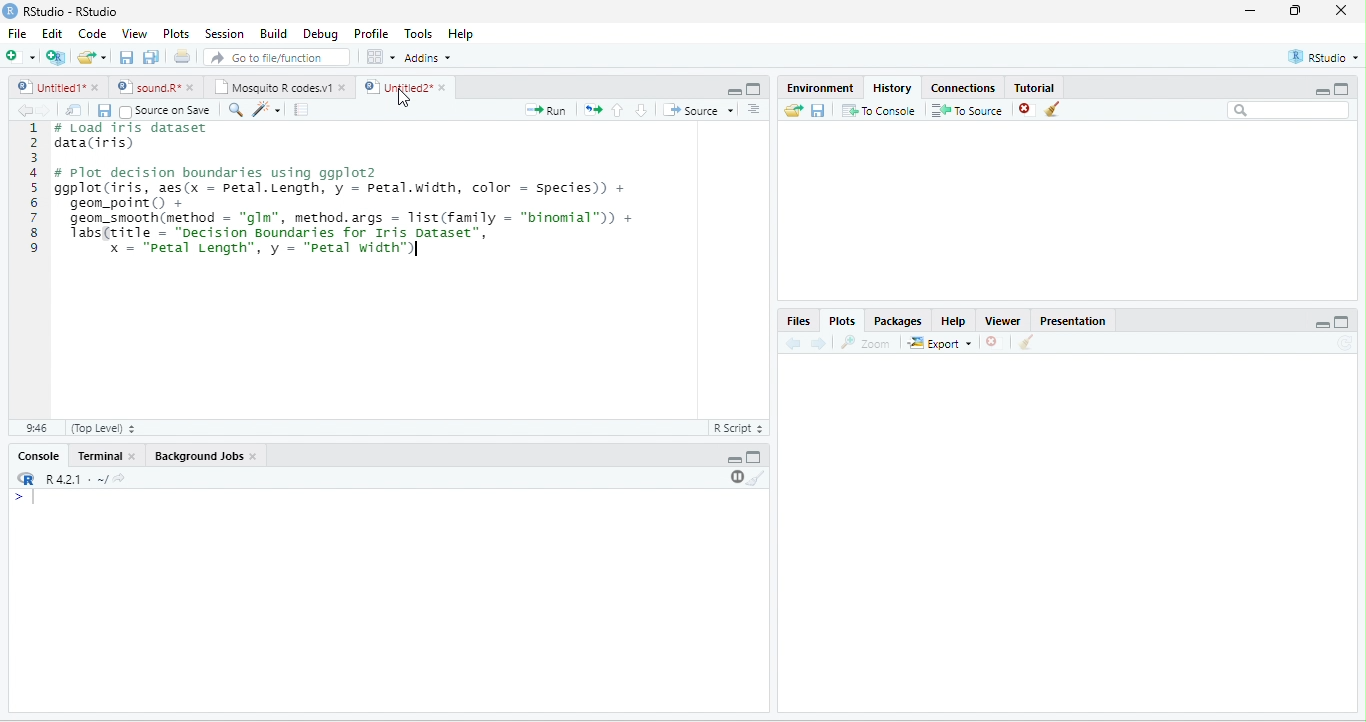  Describe the element at coordinates (254, 456) in the screenshot. I see `close` at that location.